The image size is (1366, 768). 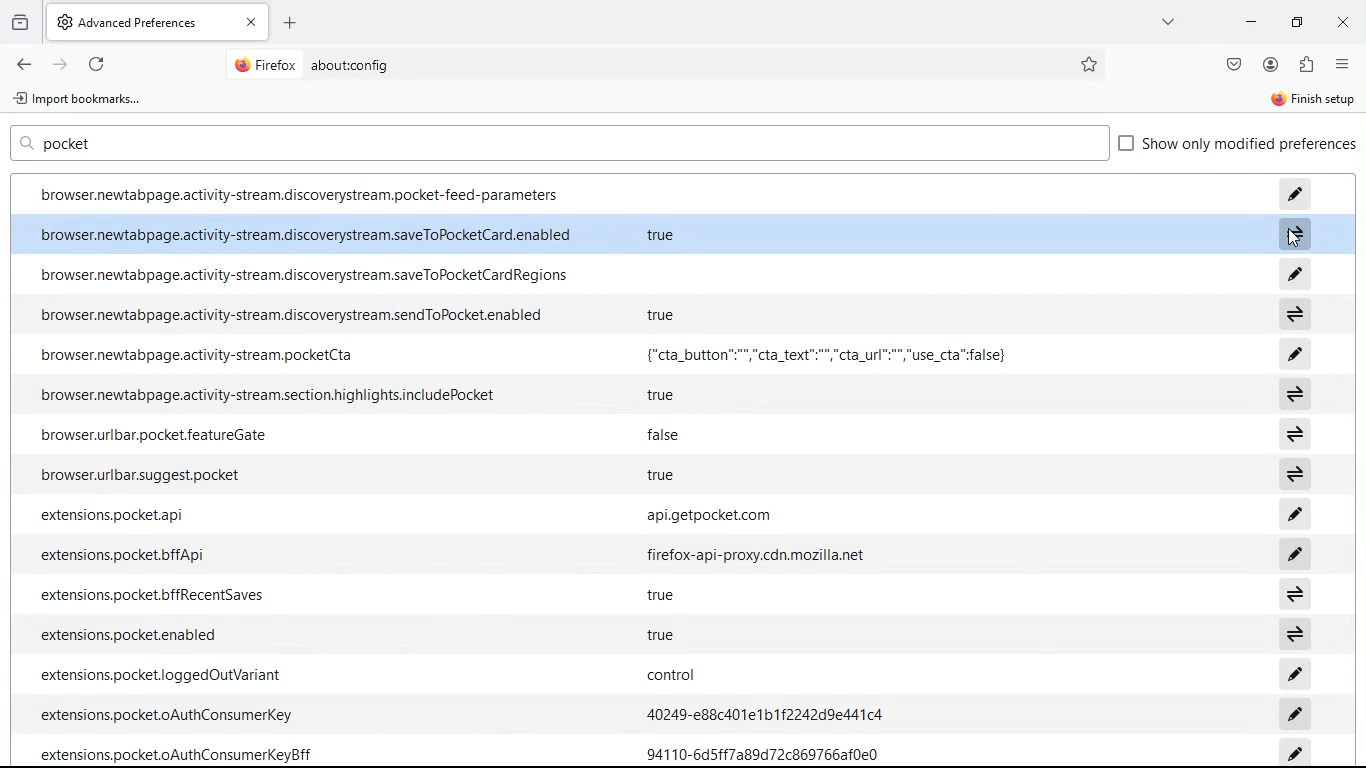 What do you see at coordinates (660, 436) in the screenshot?
I see `false` at bounding box center [660, 436].